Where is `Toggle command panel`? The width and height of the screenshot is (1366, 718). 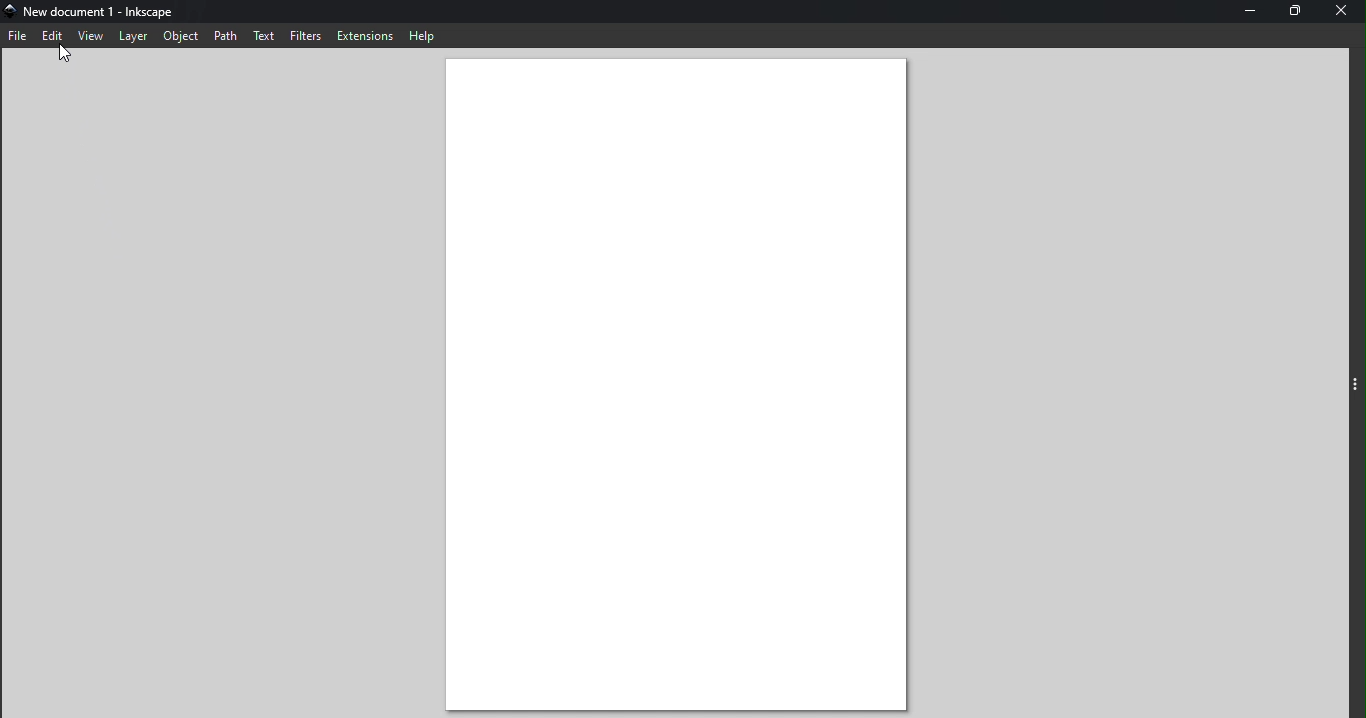 Toggle command panel is located at coordinates (1355, 383).